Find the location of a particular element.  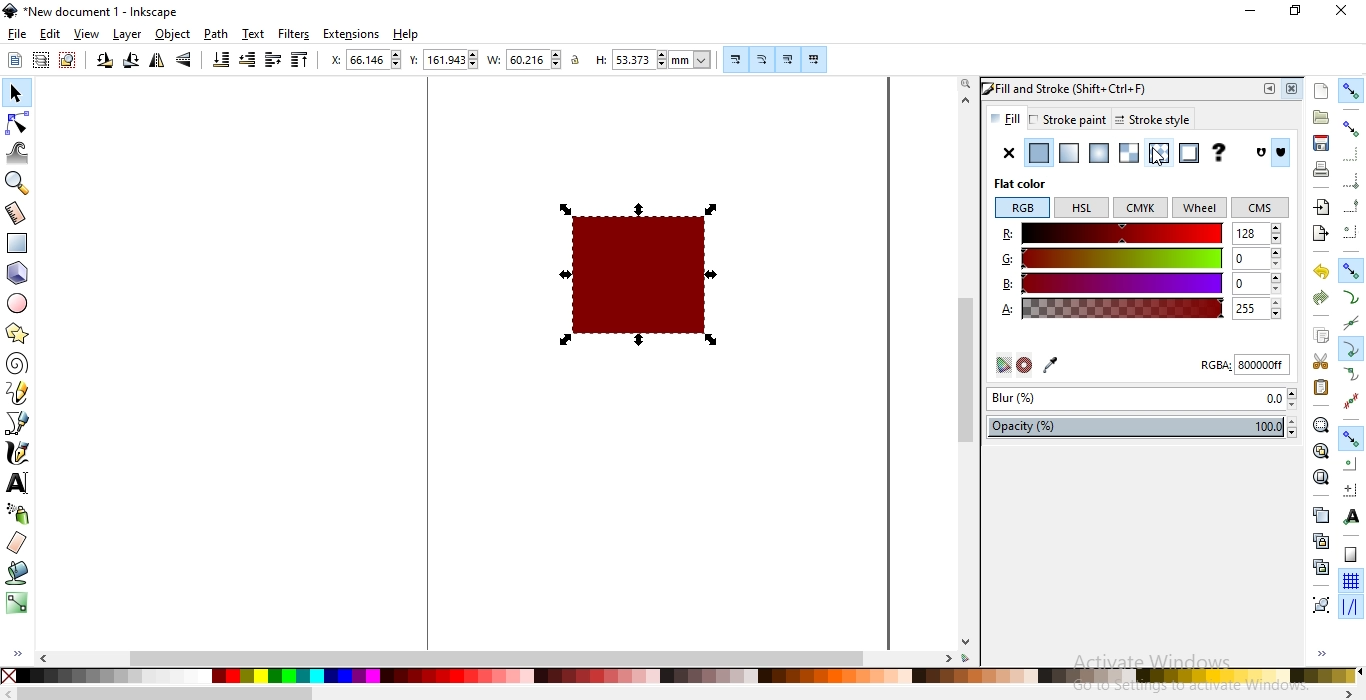

width of selection is located at coordinates (496, 60).